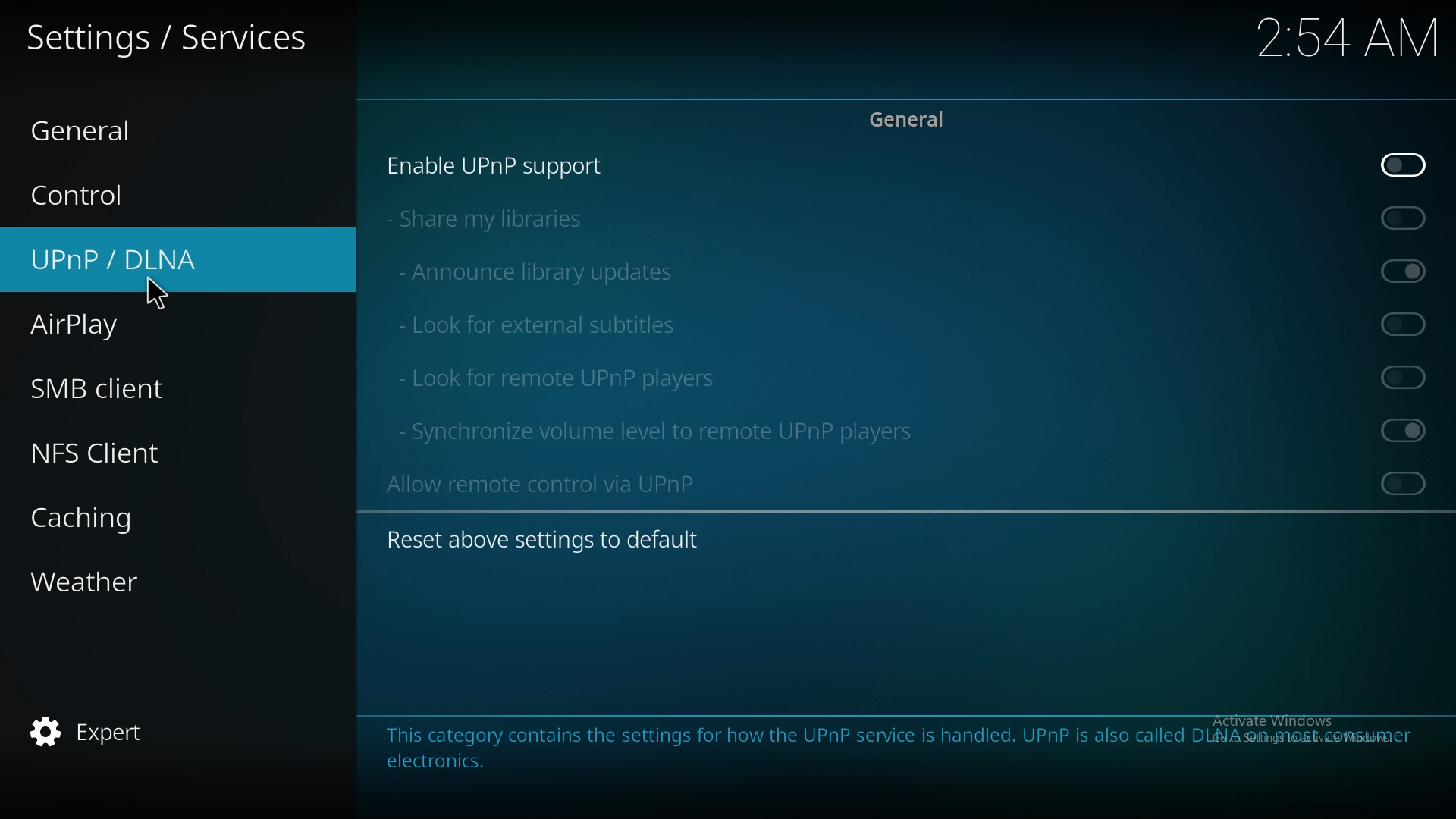  I want to click on upnp/dlna, so click(141, 260).